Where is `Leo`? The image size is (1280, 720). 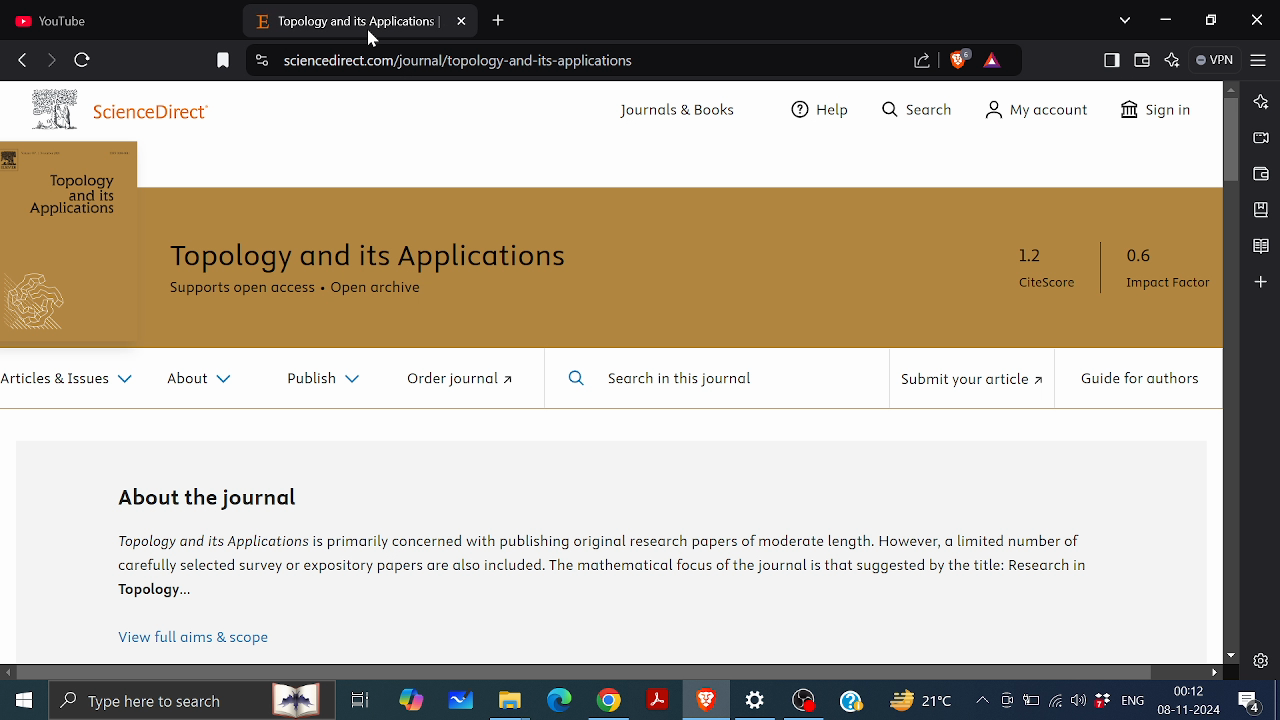 Leo is located at coordinates (1262, 100).